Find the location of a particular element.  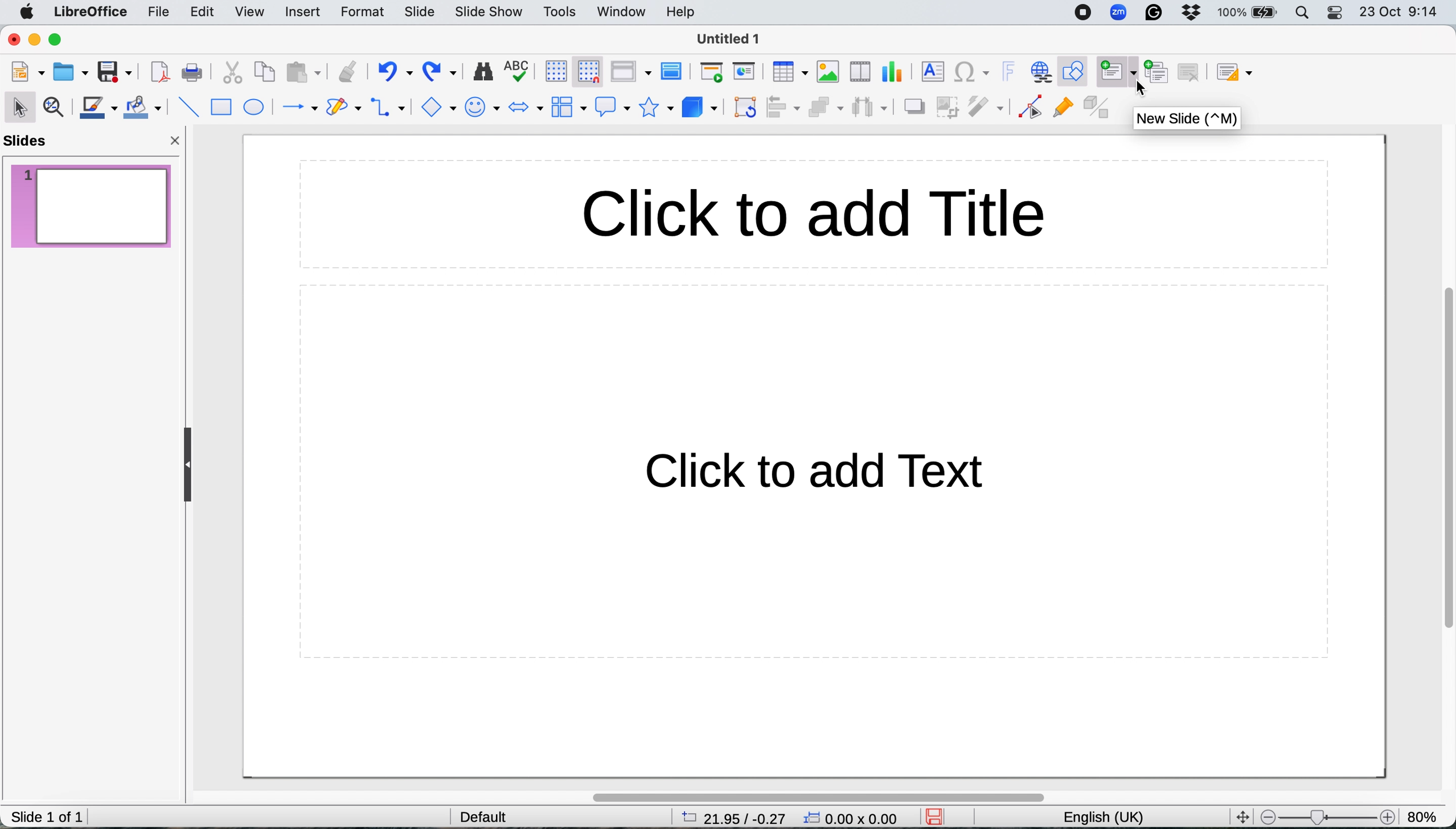

zoom and pan is located at coordinates (55, 109).